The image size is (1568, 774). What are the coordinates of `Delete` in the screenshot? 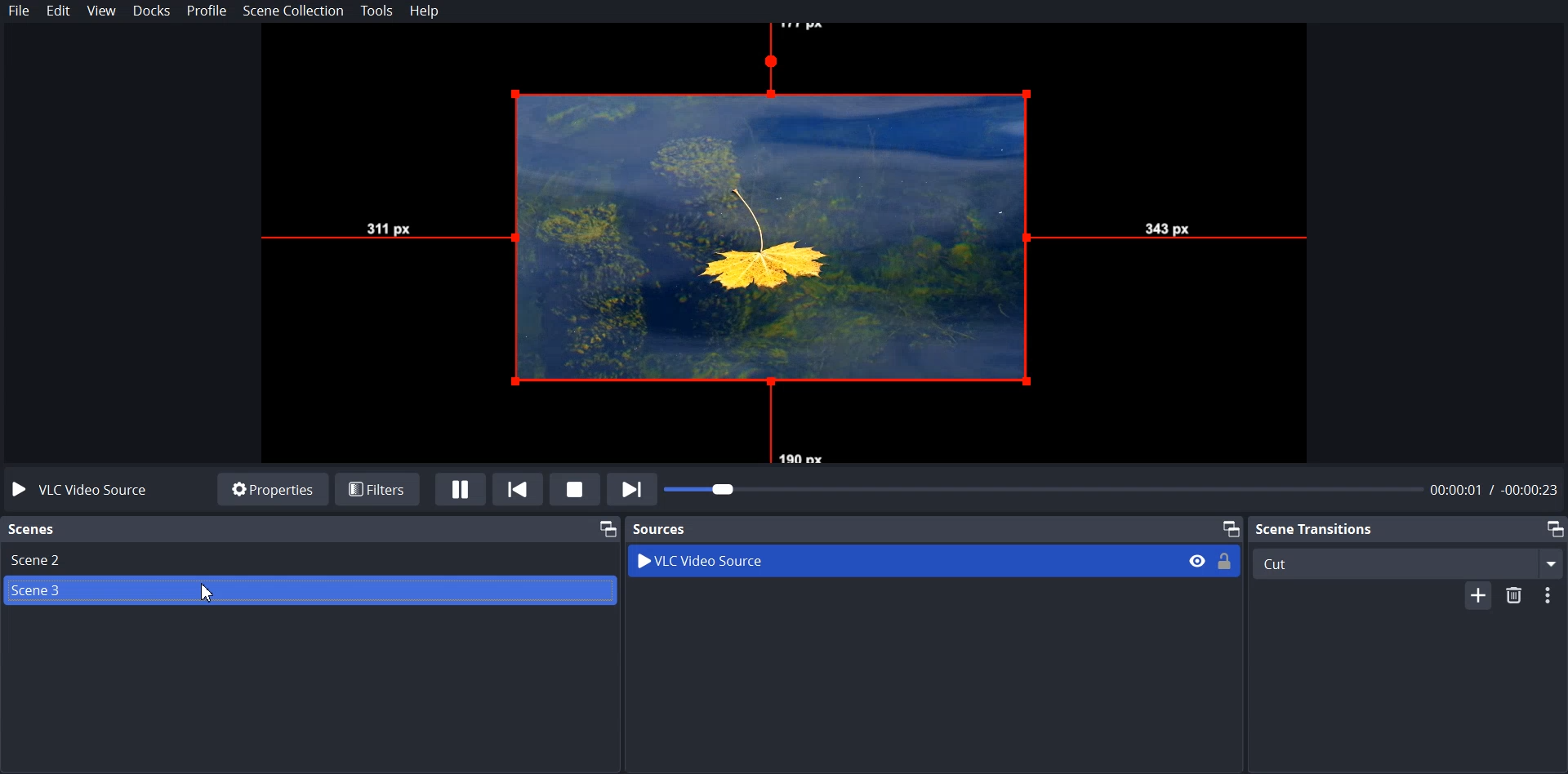 It's located at (1517, 592).